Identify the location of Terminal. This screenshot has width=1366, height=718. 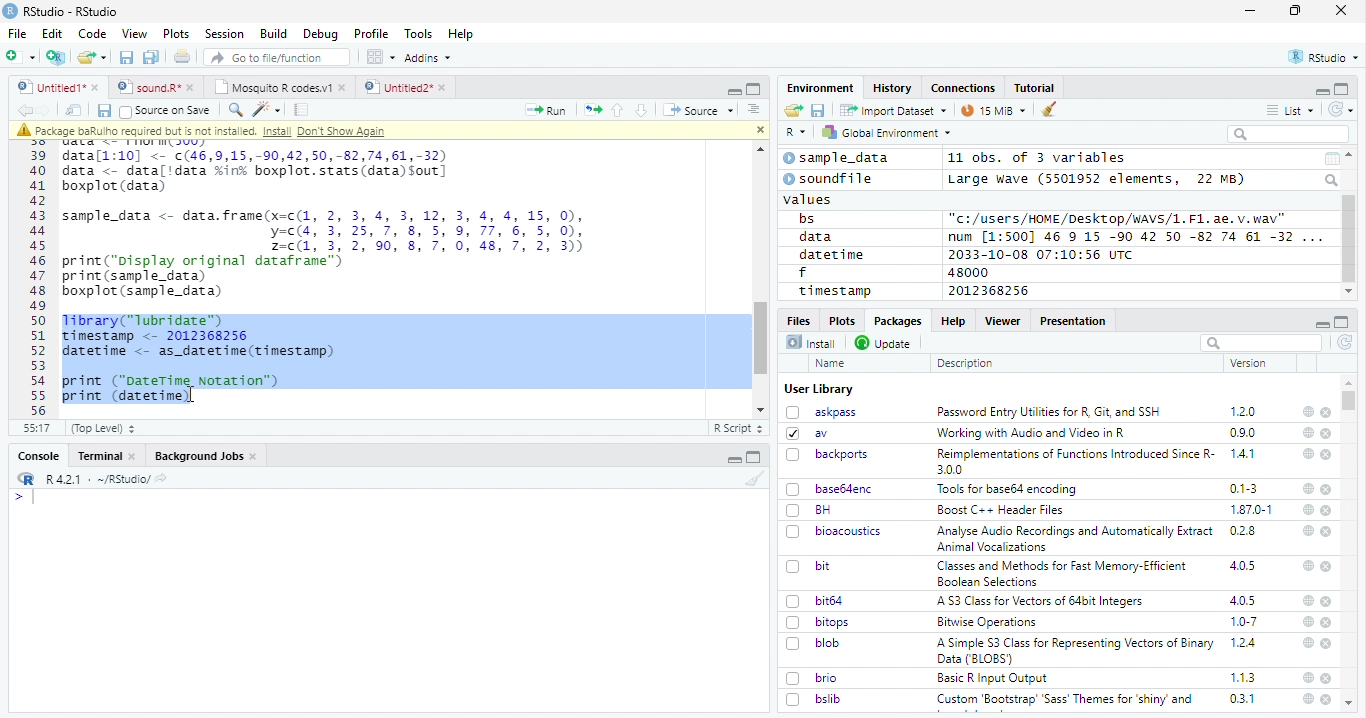
(106, 456).